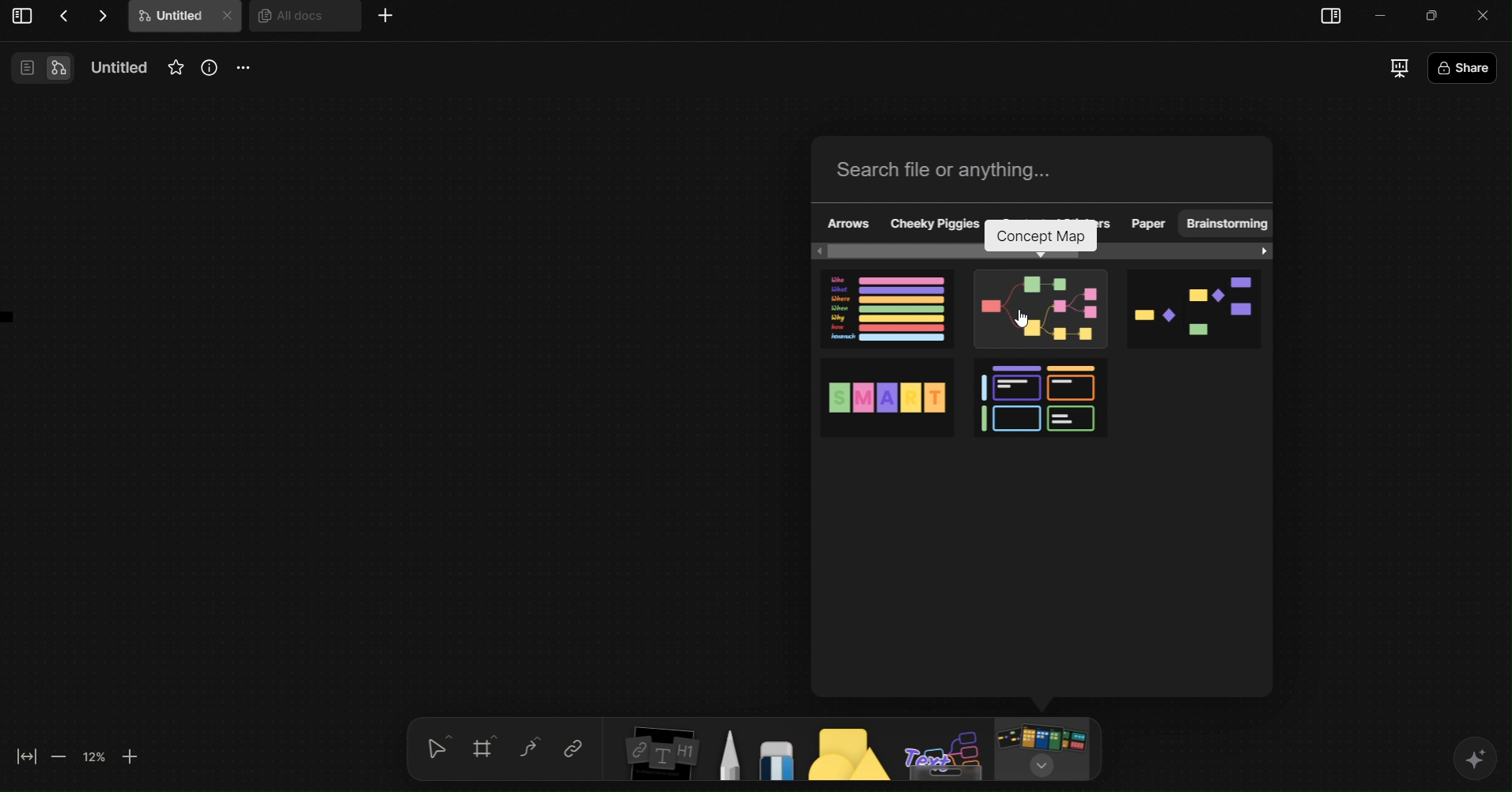  What do you see at coordinates (244, 70) in the screenshot?
I see `More` at bounding box center [244, 70].